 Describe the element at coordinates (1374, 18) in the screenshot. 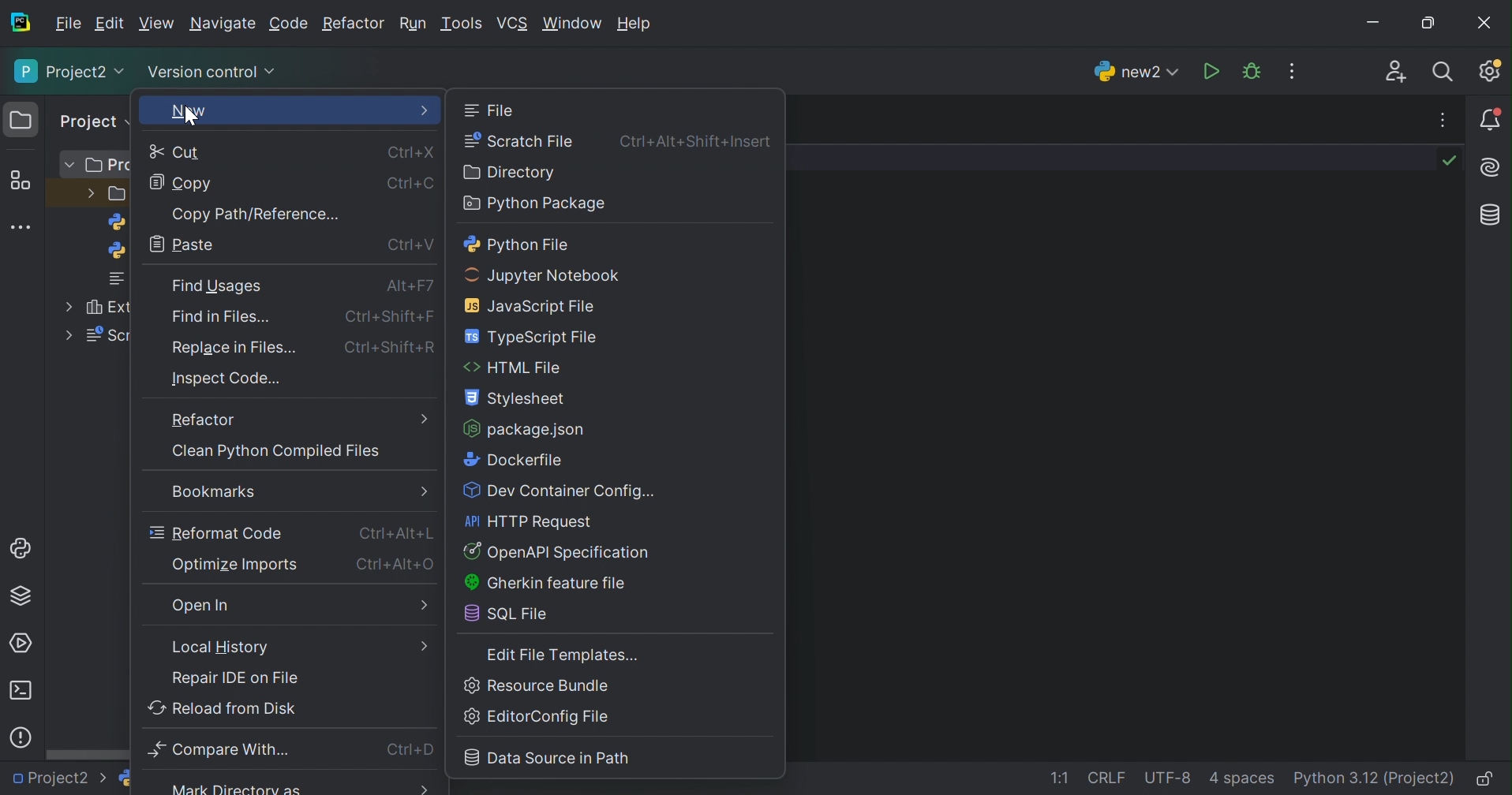

I see `Minimize` at that location.